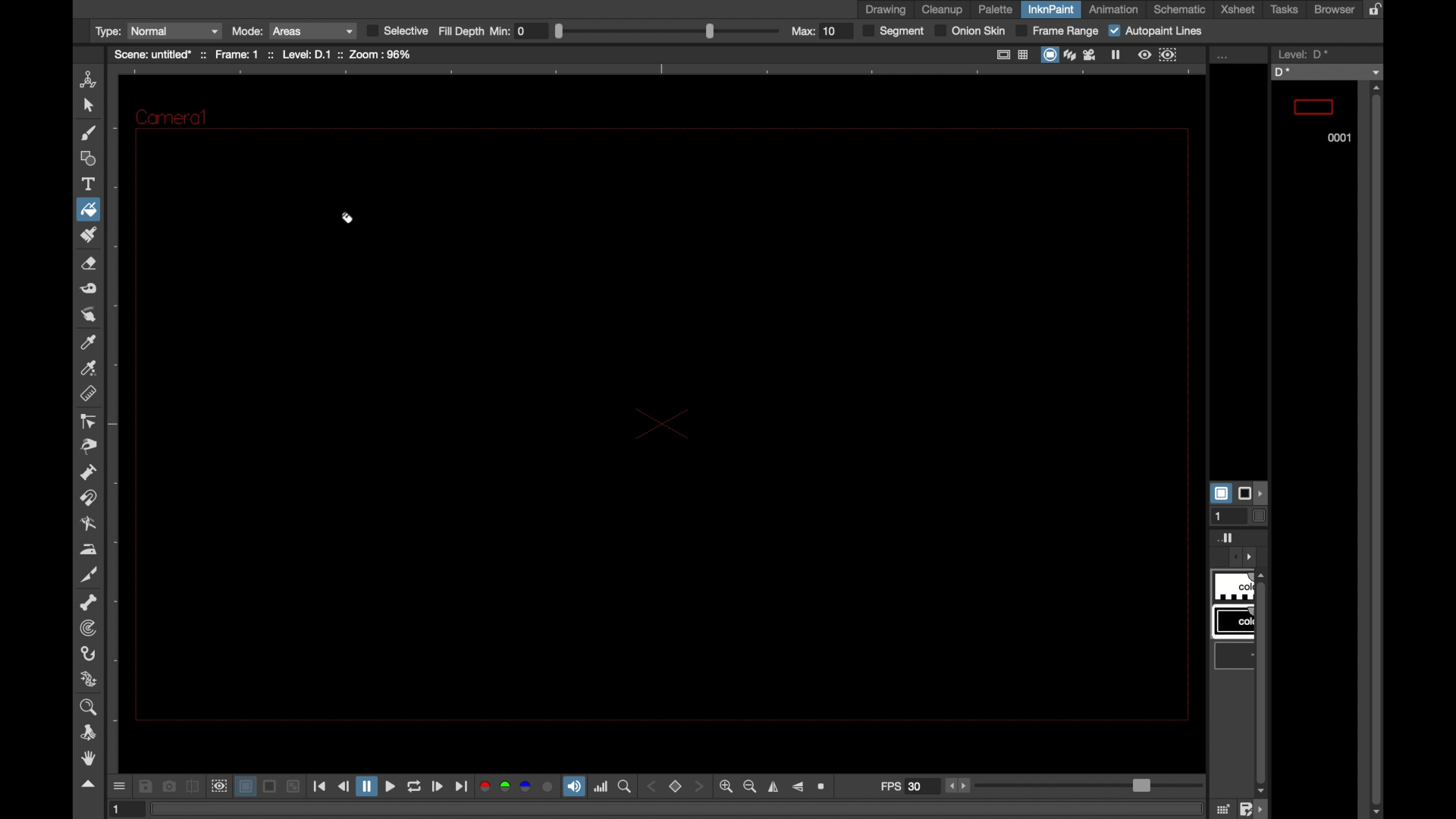 Image resolution: width=1456 pixels, height=819 pixels. I want to click on iron tool, so click(89, 549).